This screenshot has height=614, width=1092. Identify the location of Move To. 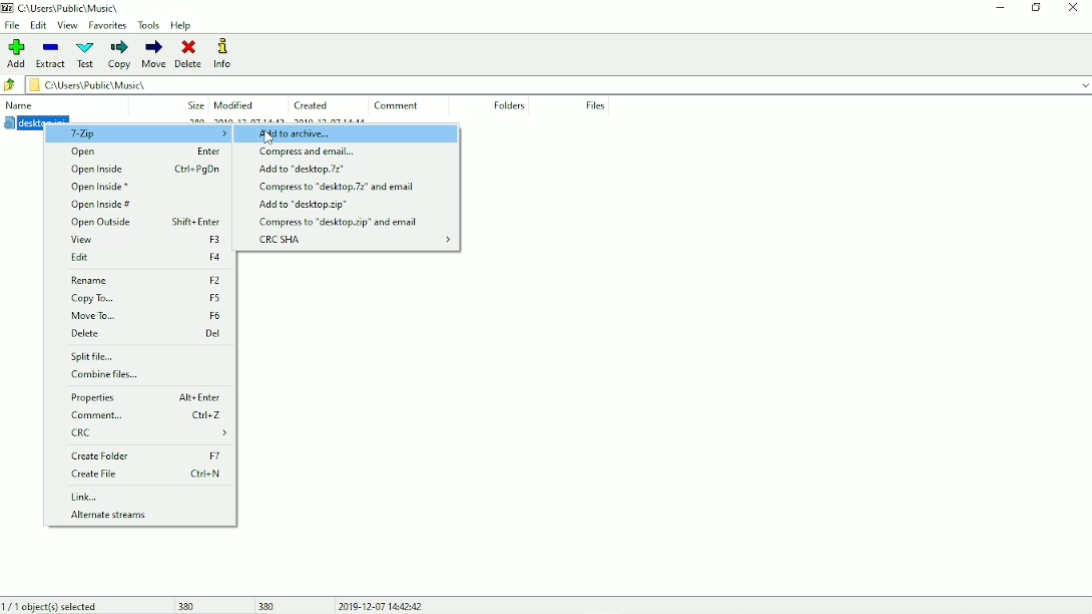
(146, 316).